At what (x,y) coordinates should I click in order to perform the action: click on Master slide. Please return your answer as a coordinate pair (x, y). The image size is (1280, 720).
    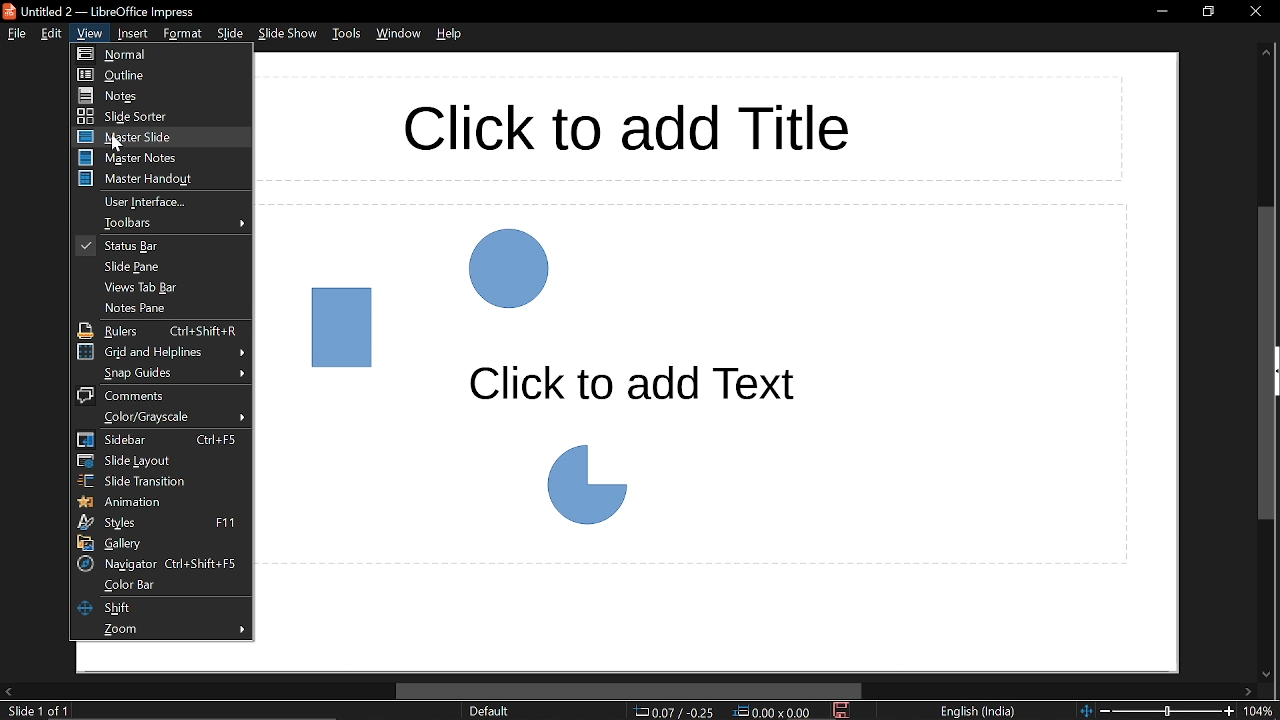
    Looking at the image, I should click on (159, 137).